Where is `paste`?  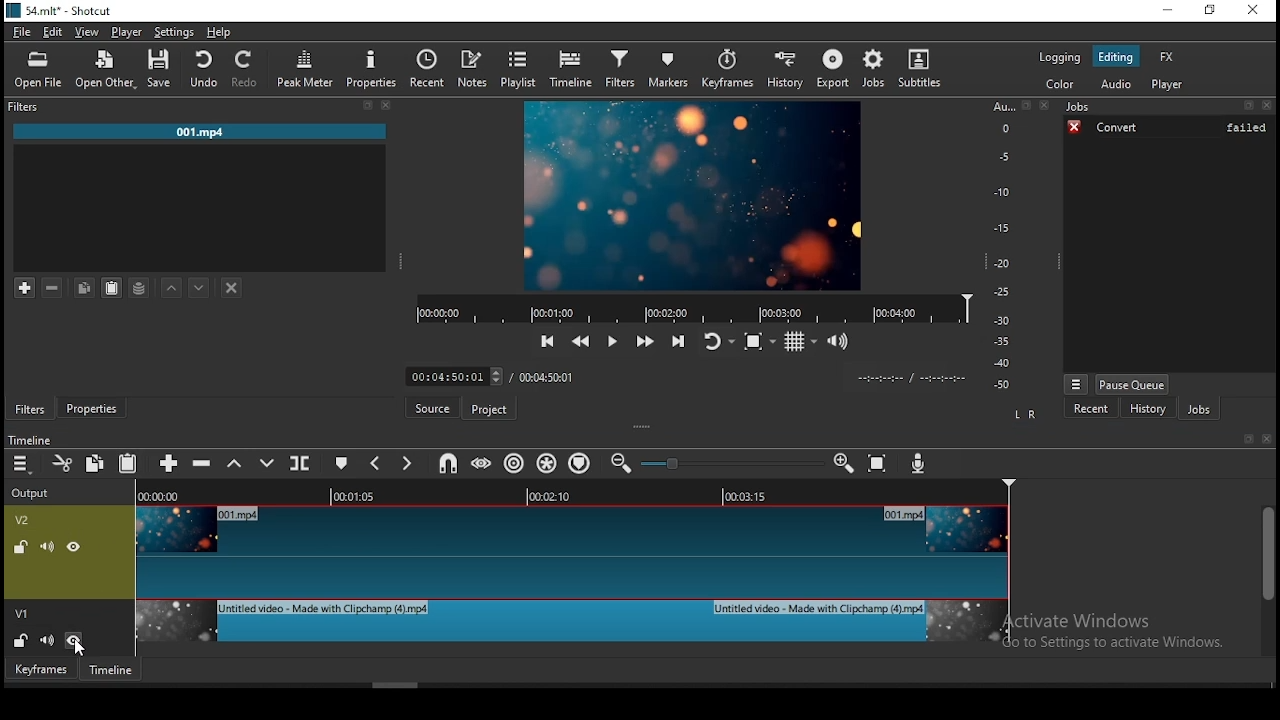 paste is located at coordinates (128, 465).